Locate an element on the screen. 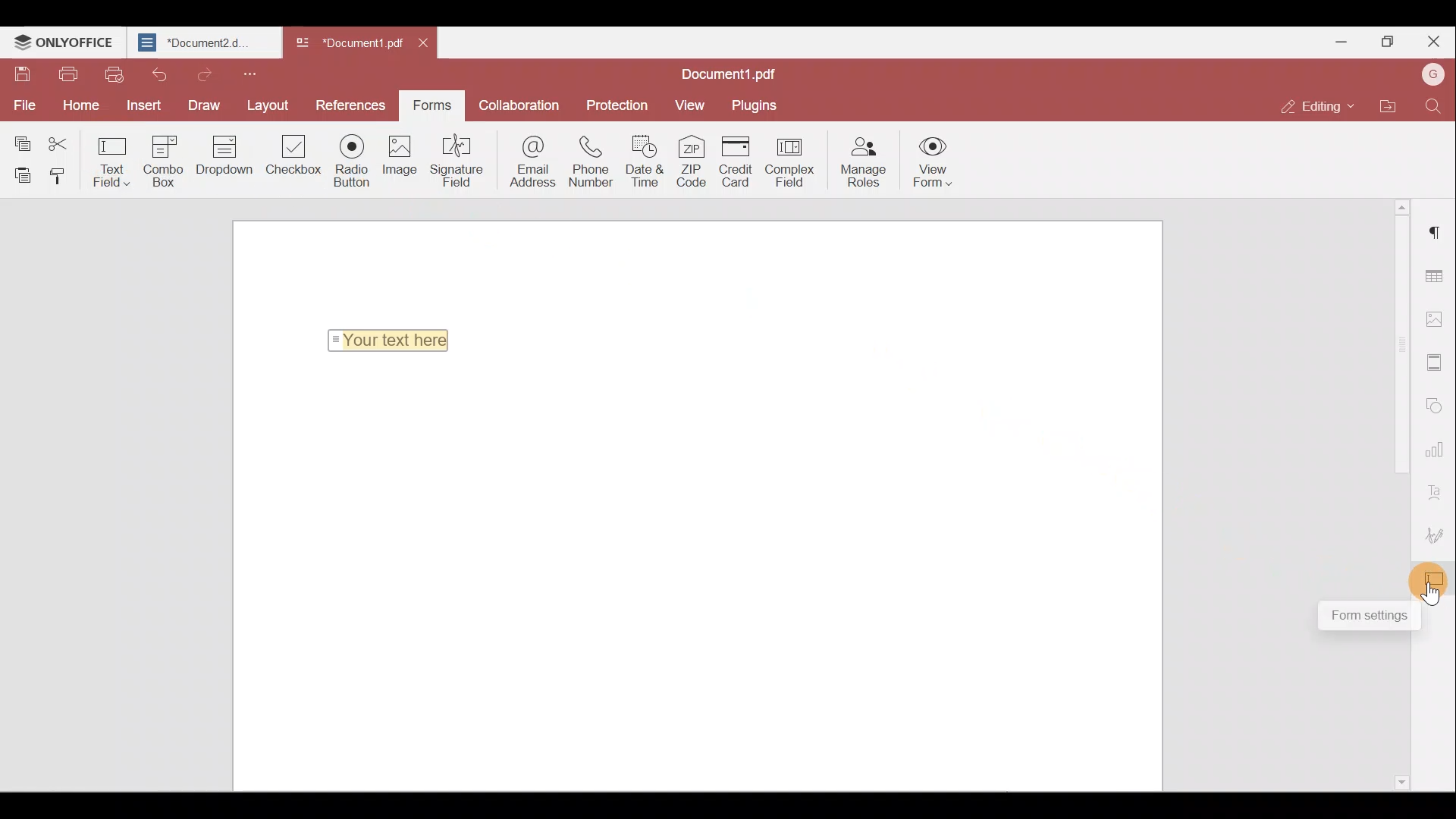 The width and height of the screenshot is (1456, 819). Close document is located at coordinates (427, 45).